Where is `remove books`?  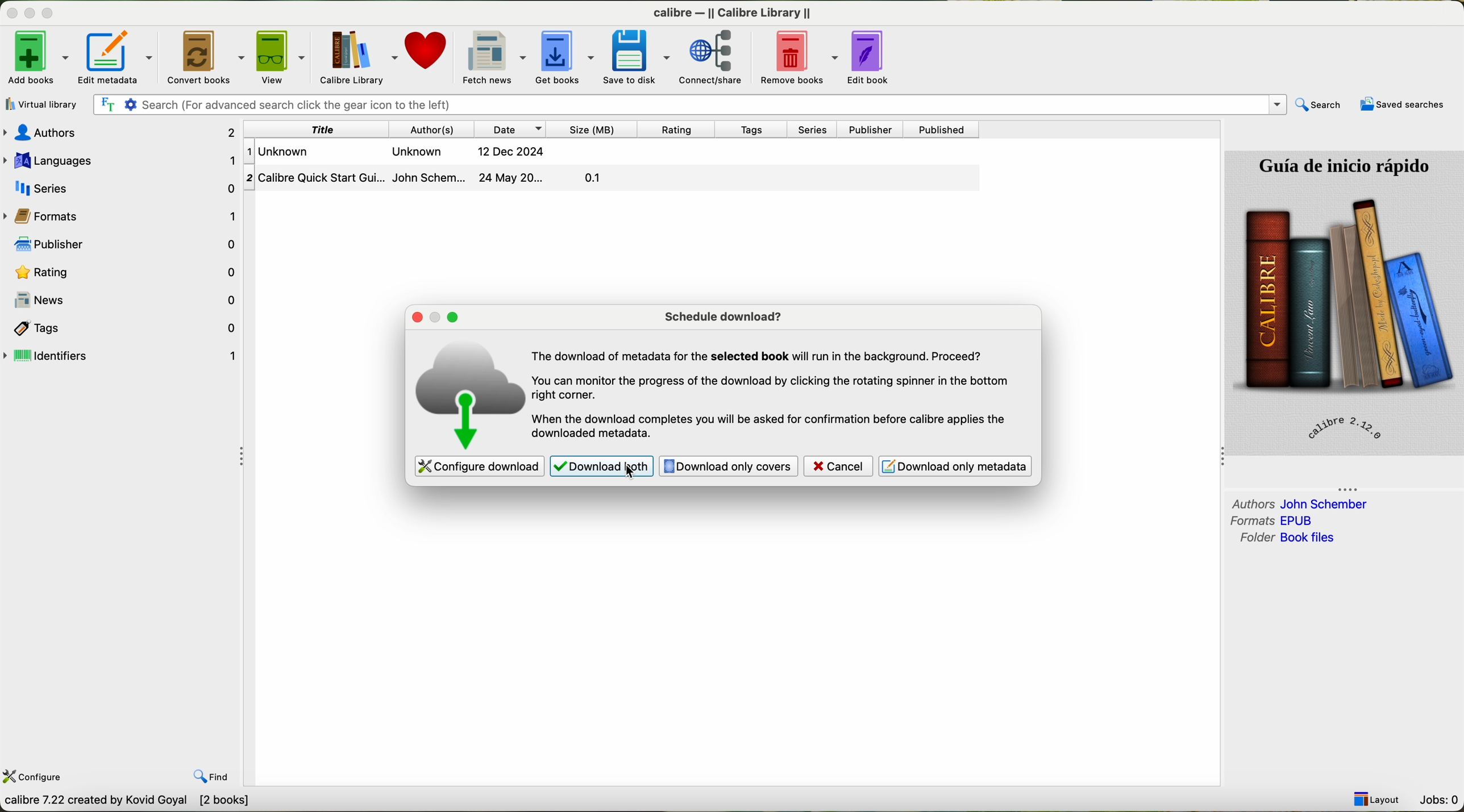 remove books is located at coordinates (795, 57).